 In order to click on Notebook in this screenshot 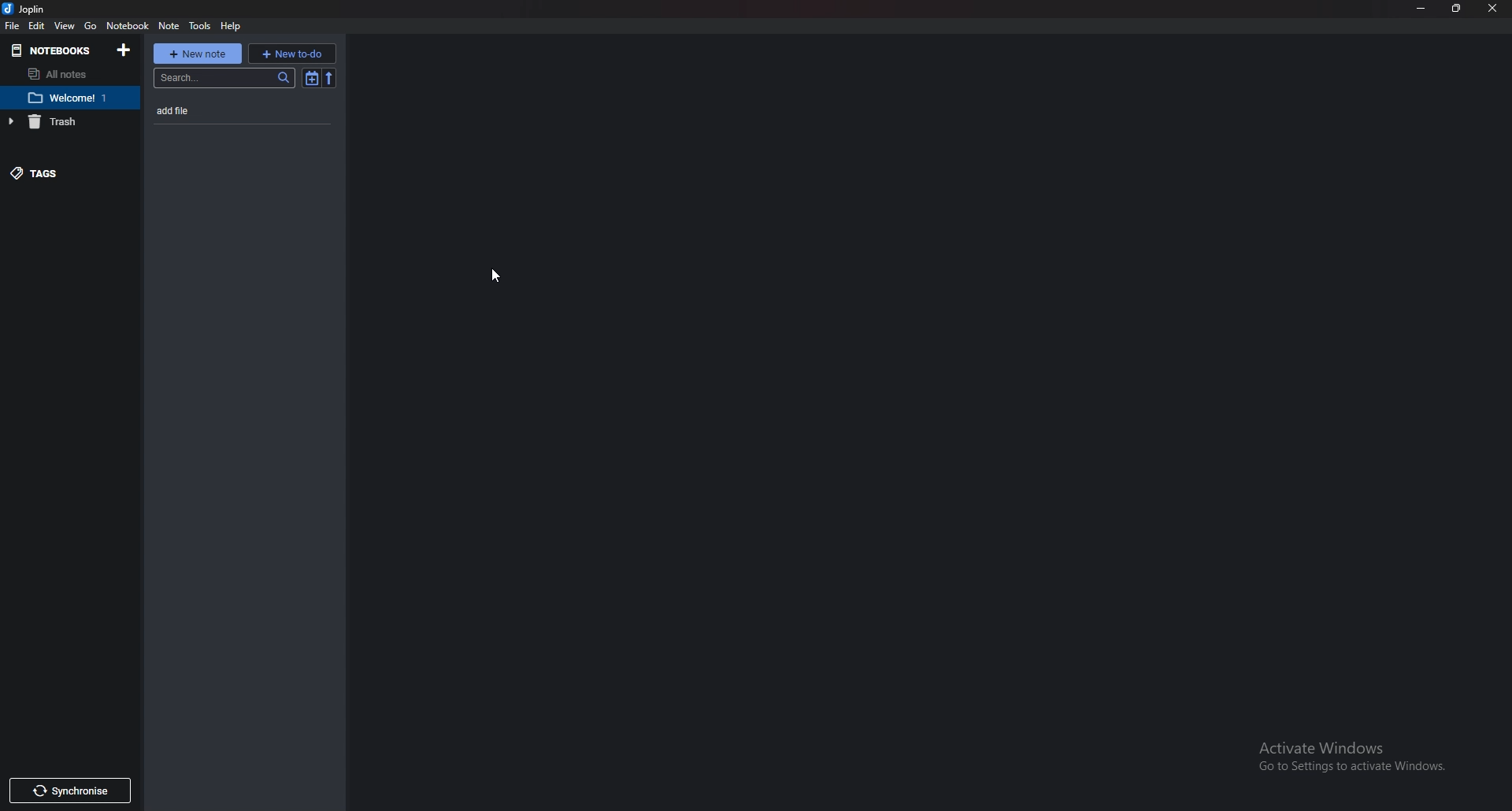, I will do `click(76, 97)`.